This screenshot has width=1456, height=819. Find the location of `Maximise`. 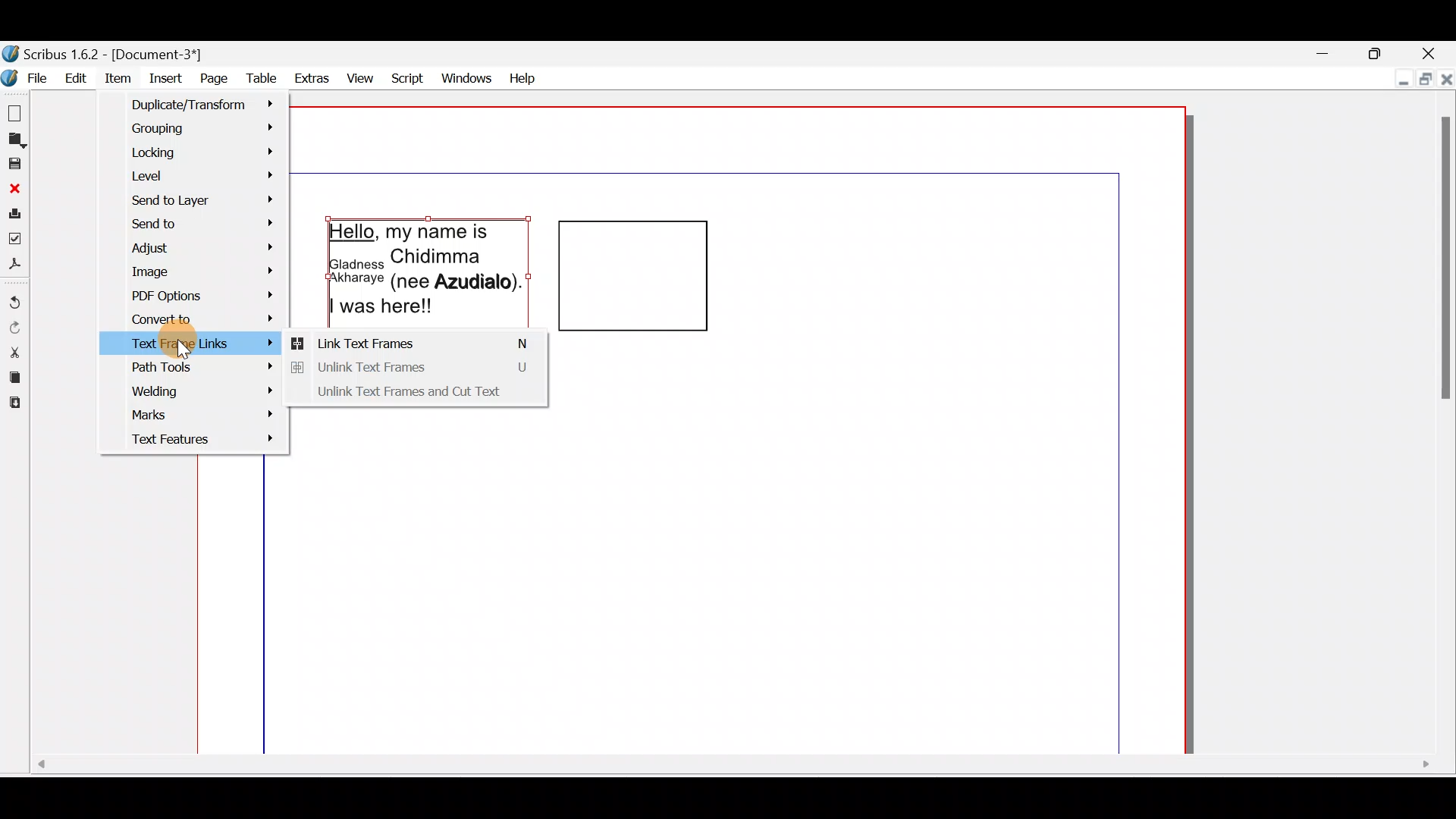

Maximise is located at coordinates (1422, 78).